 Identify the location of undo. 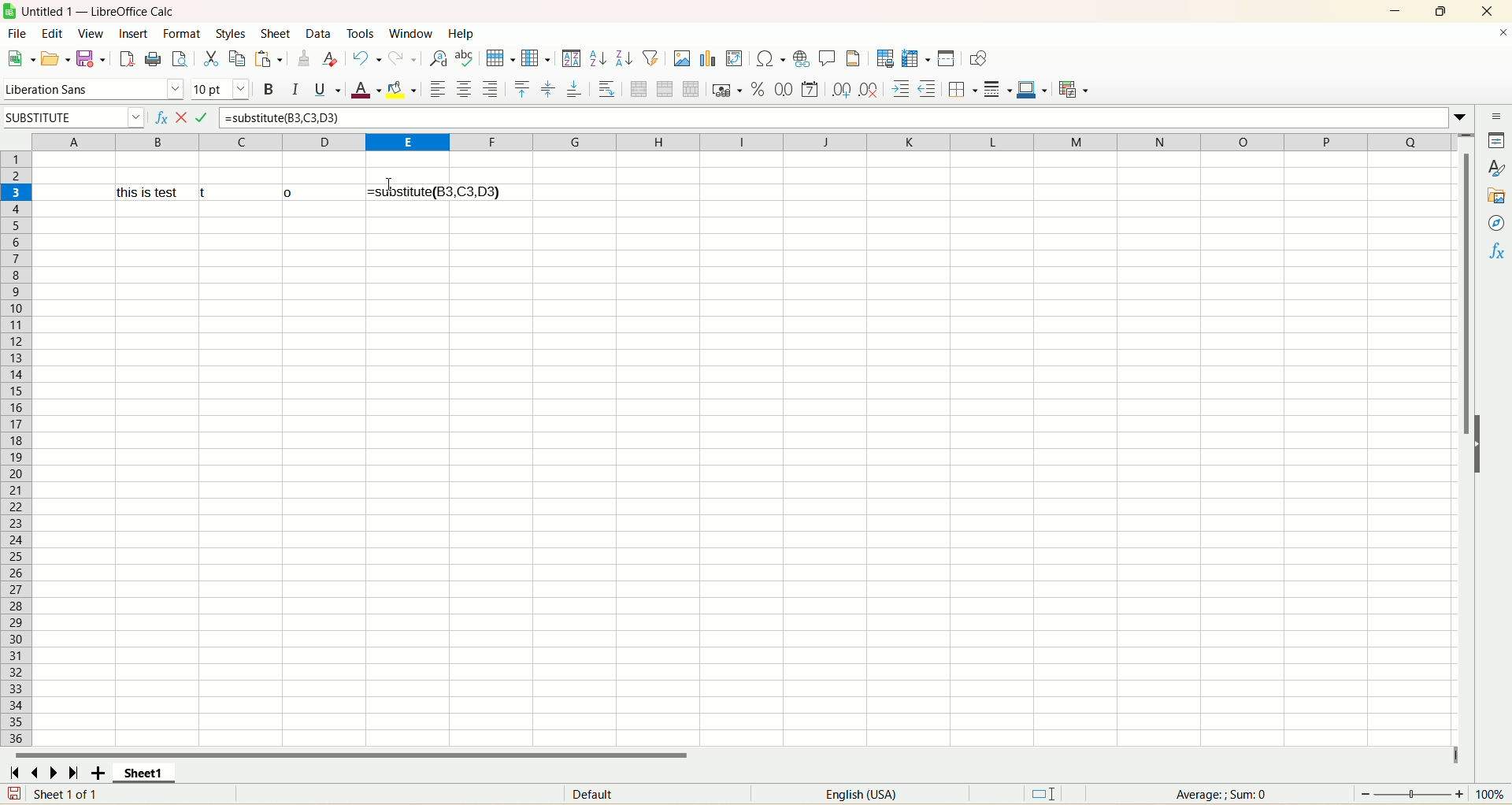
(367, 58).